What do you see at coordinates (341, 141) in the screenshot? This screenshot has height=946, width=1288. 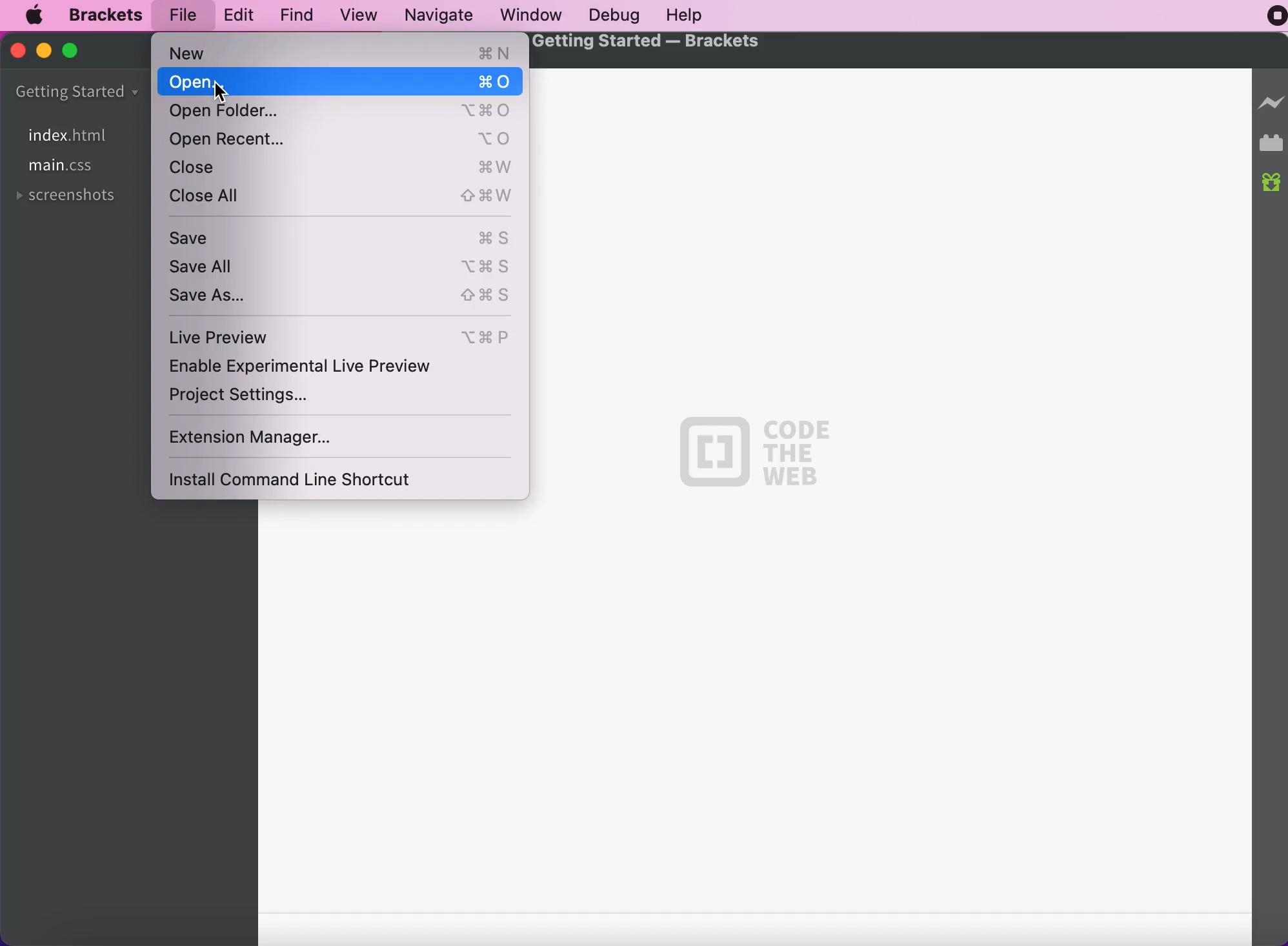 I see `open recent` at bounding box center [341, 141].